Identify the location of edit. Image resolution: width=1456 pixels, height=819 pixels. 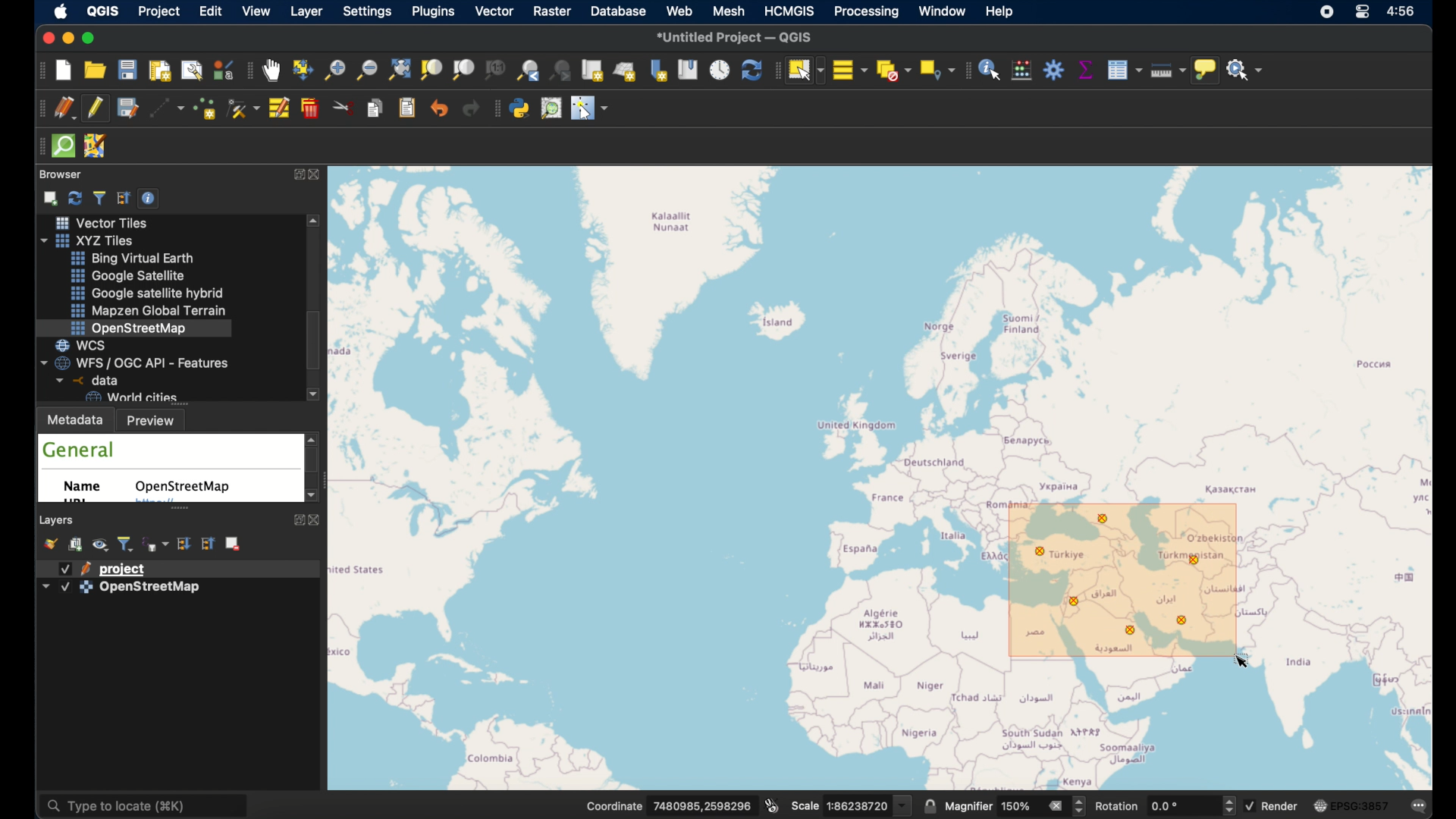
(212, 11).